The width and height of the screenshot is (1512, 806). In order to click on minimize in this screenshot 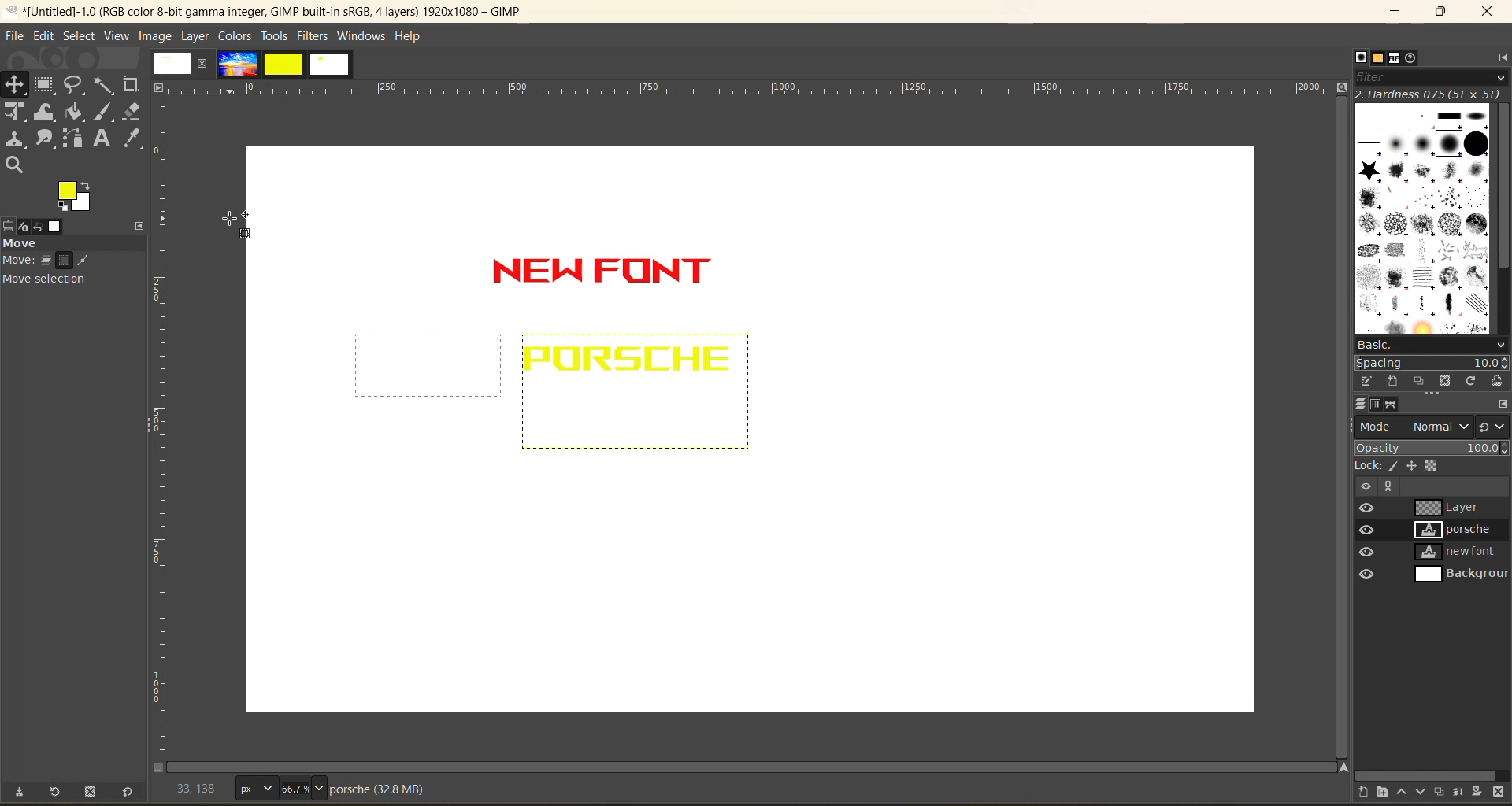, I will do `click(1397, 12)`.